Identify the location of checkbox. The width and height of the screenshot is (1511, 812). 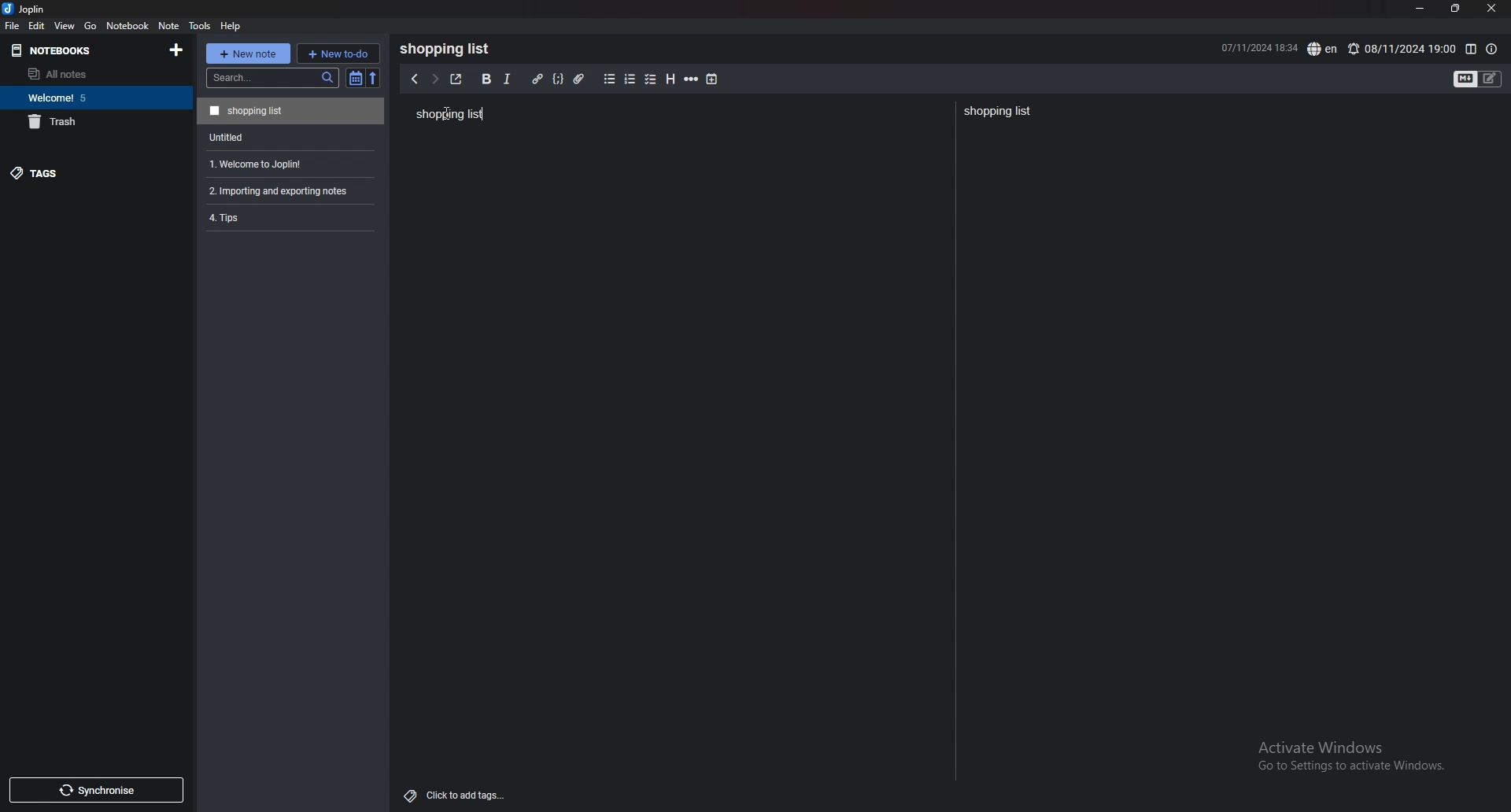
(651, 79).